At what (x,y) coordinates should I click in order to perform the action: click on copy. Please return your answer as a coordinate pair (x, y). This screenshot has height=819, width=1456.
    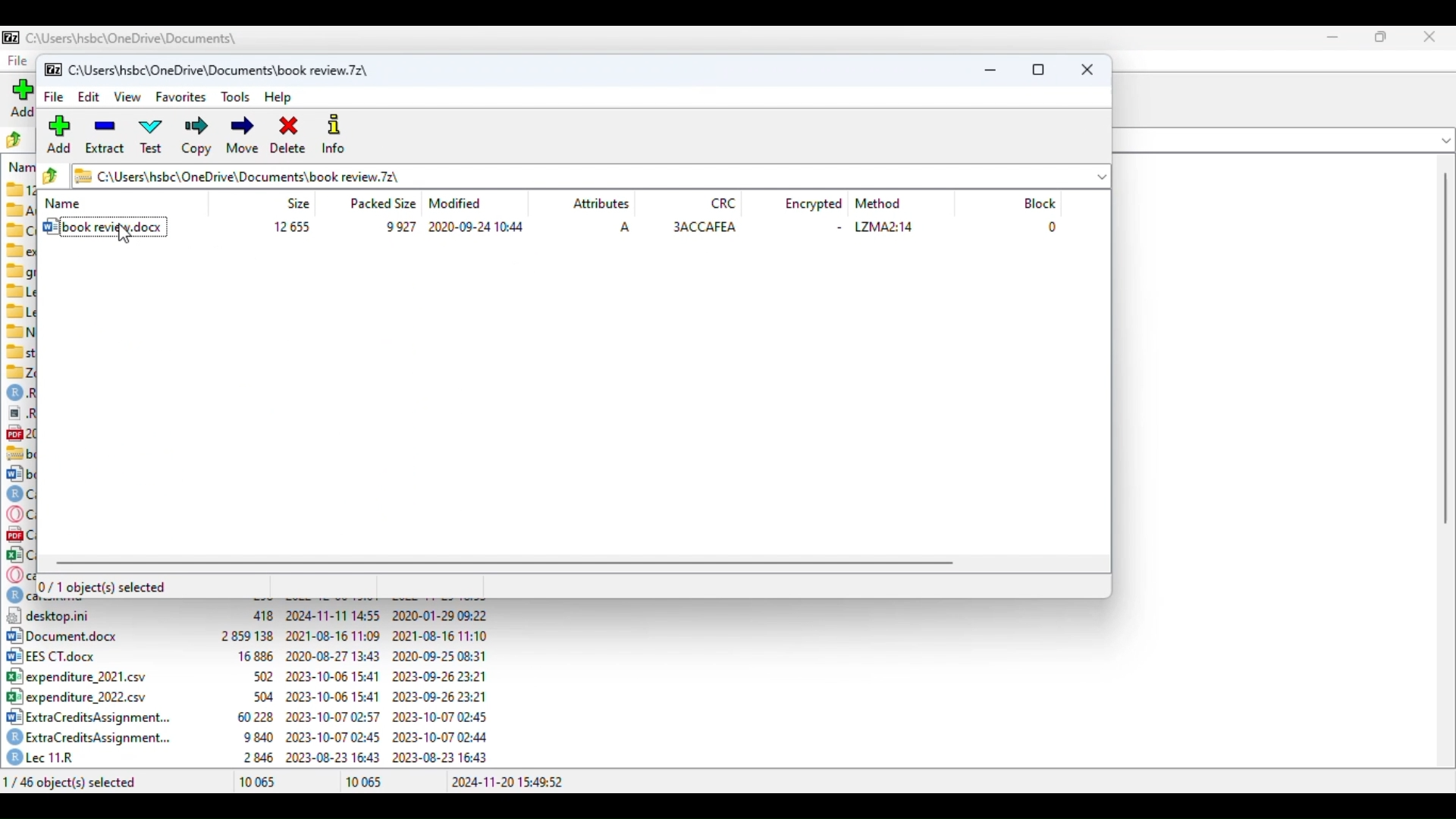
    Looking at the image, I should click on (196, 136).